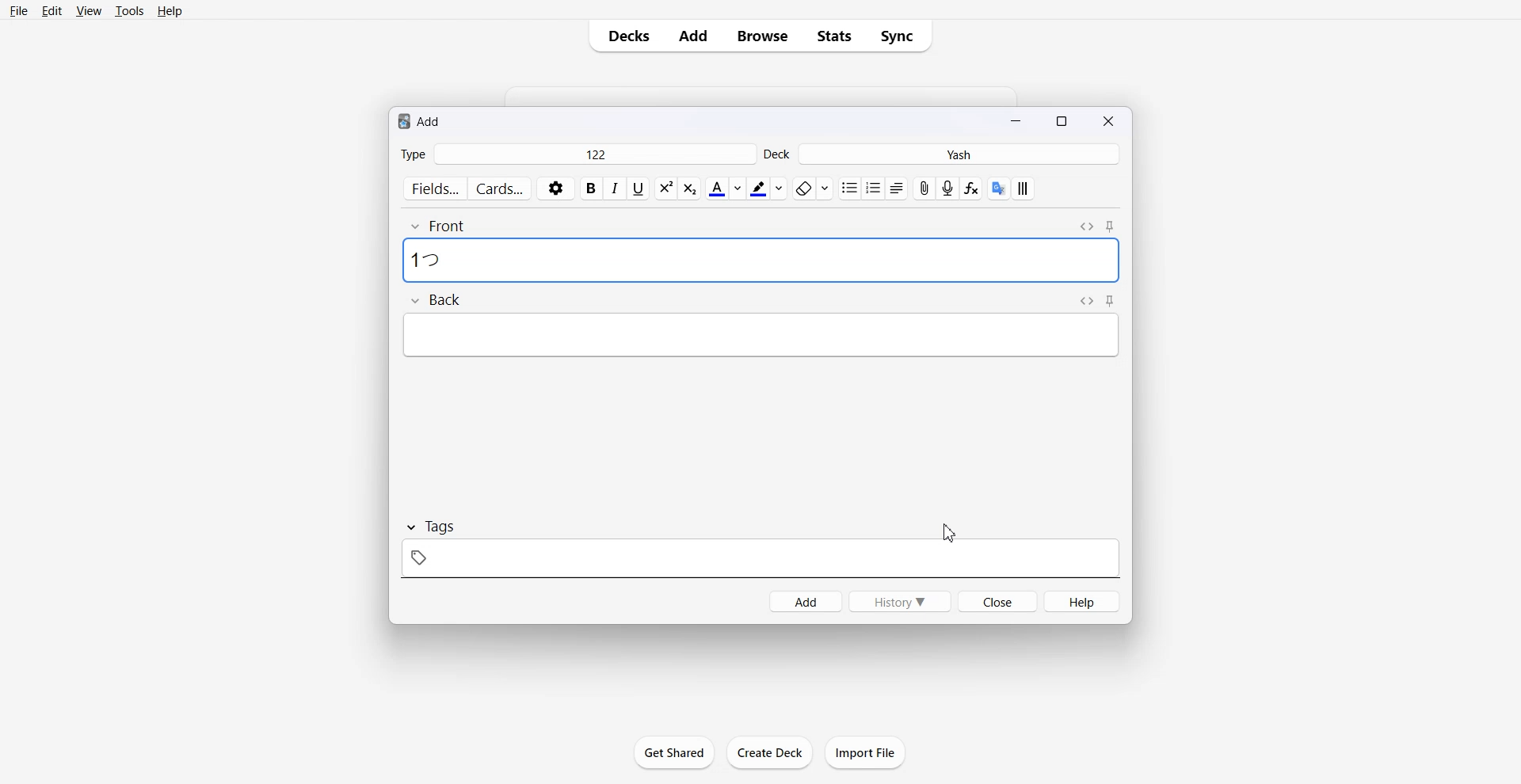 Image resolution: width=1521 pixels, height=784 pixels. What do you see at coordinates (556, 188) in the screenshot?
I see `Settings` at bounding box center [556, 188].